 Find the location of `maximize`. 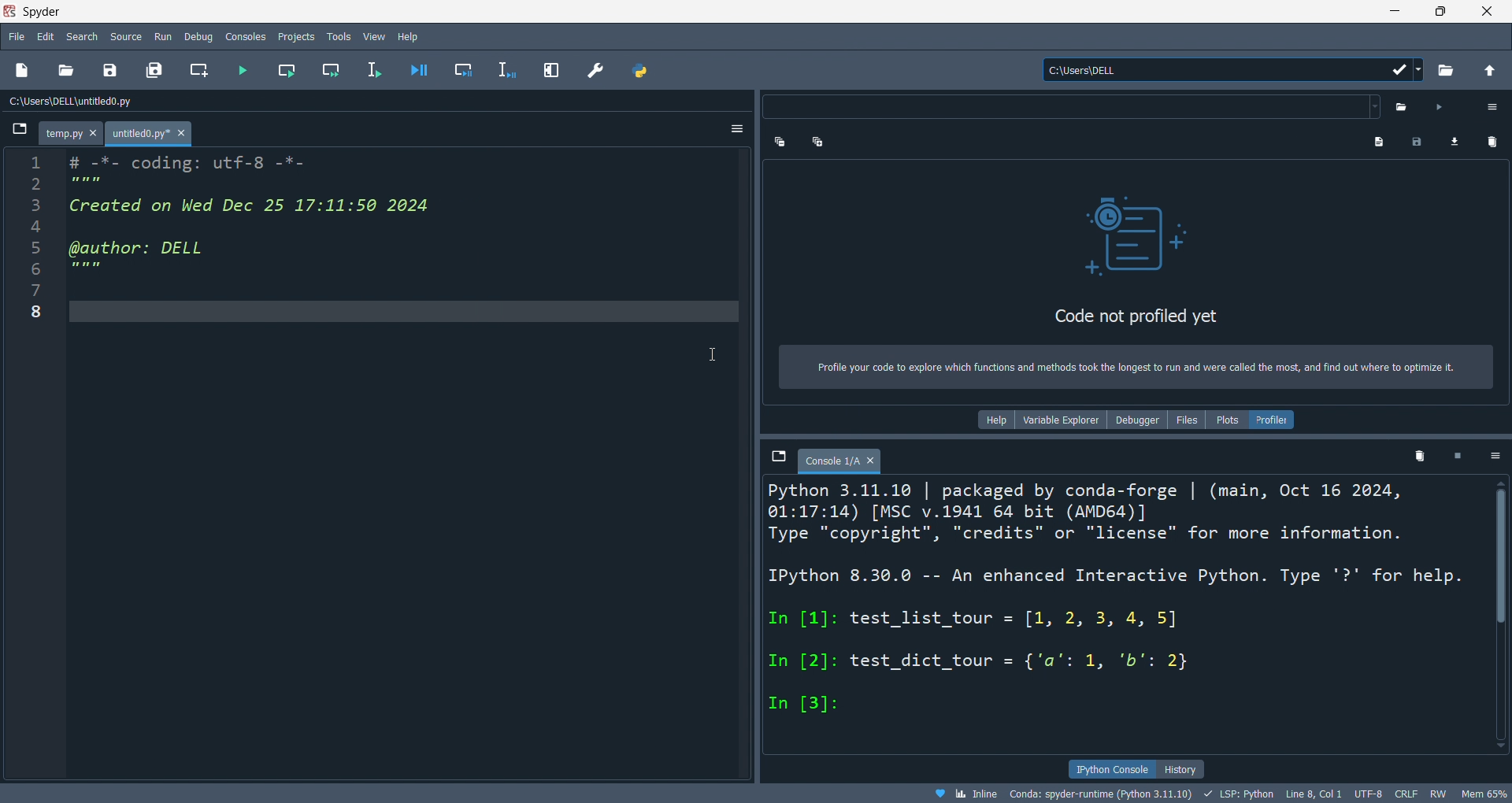

maximize is located at coordinates (1447, 12).